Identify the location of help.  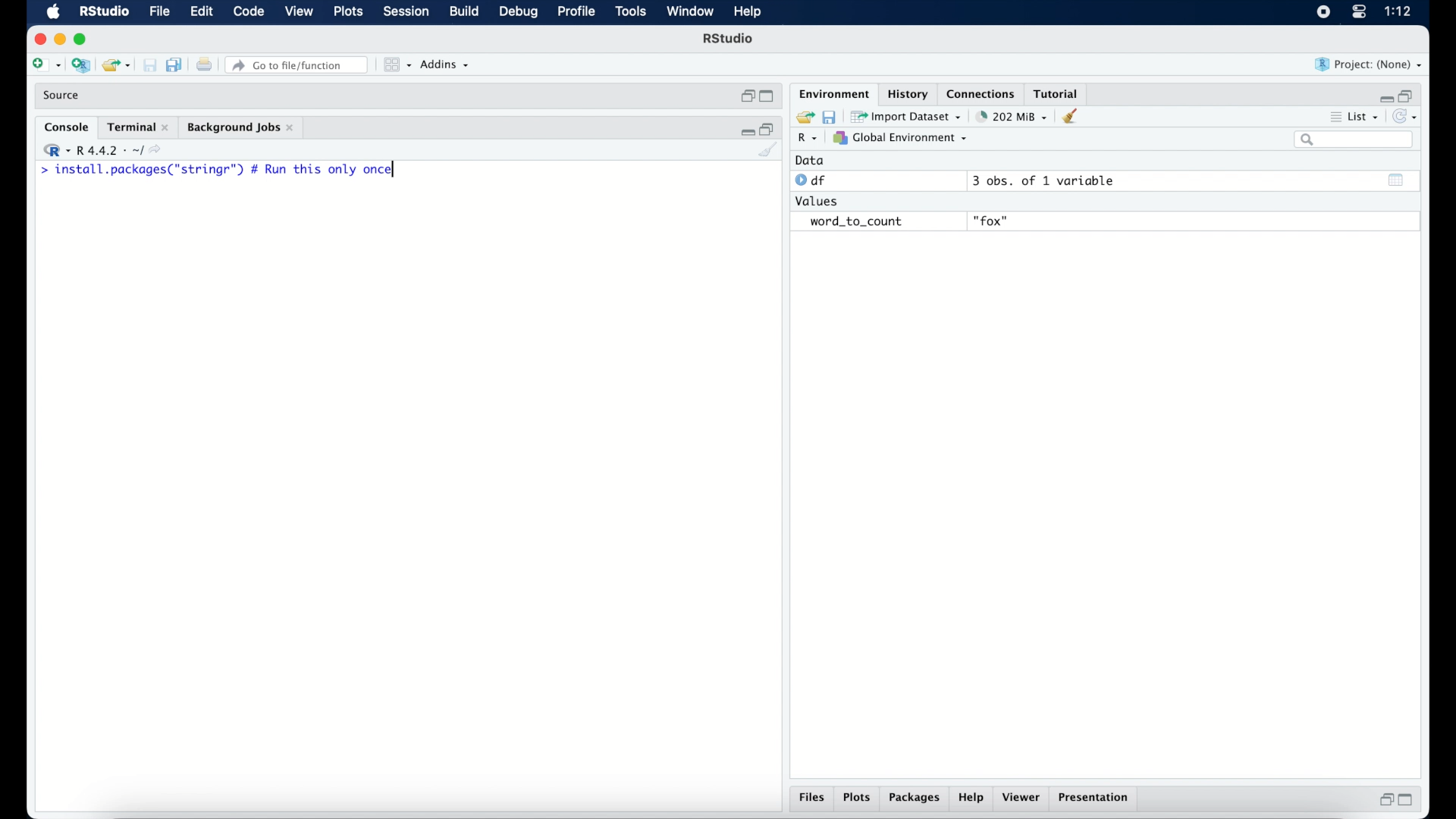
(750, 13).